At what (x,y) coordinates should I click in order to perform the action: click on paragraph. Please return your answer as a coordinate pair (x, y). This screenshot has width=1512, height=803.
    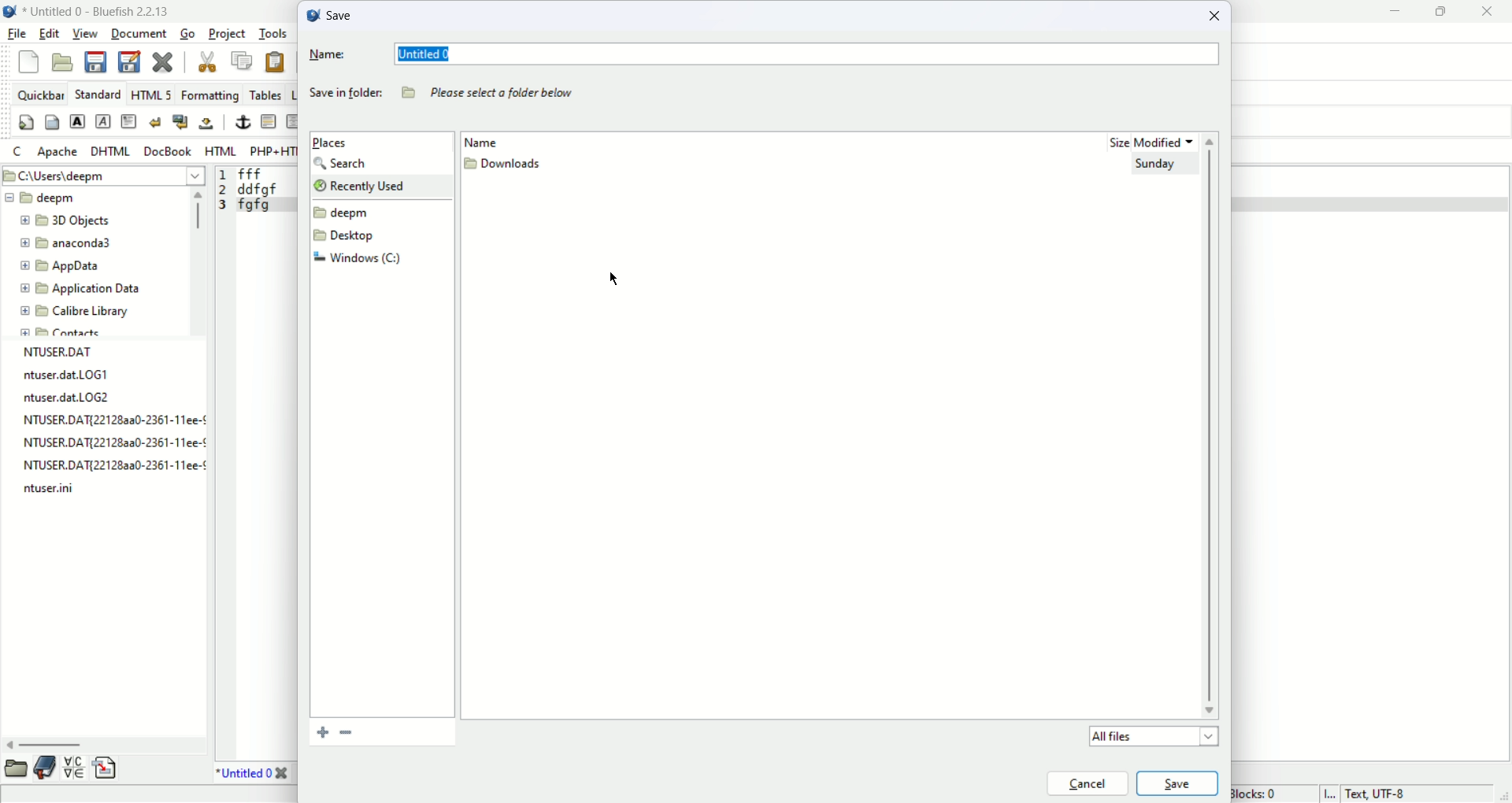
    Looking at the image, I should click on (126, 121).